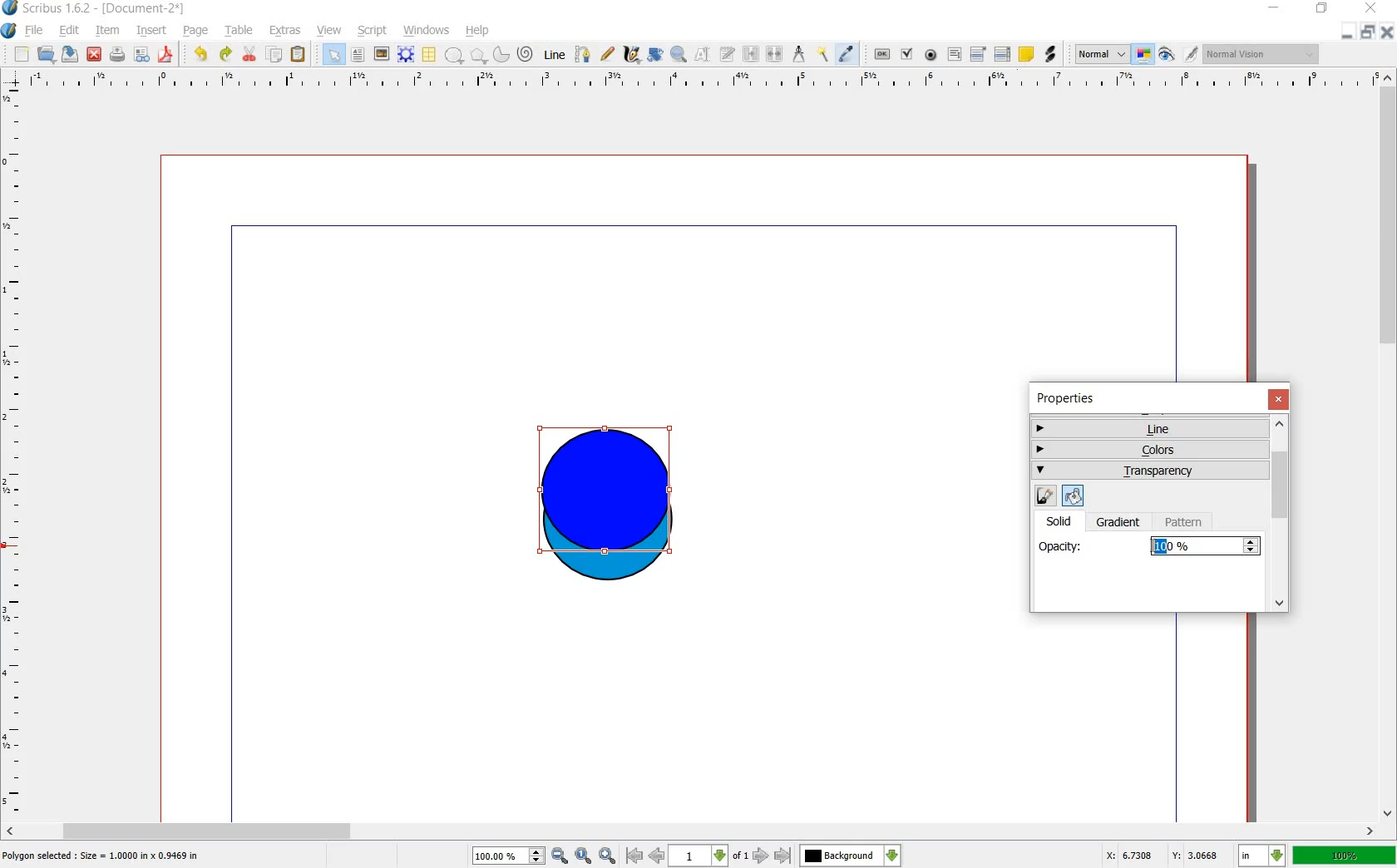 This screenshot has height=868, width=1397. Describe the element at coordinates (405, 53) in the screenshot. I see `render frame` at that location.